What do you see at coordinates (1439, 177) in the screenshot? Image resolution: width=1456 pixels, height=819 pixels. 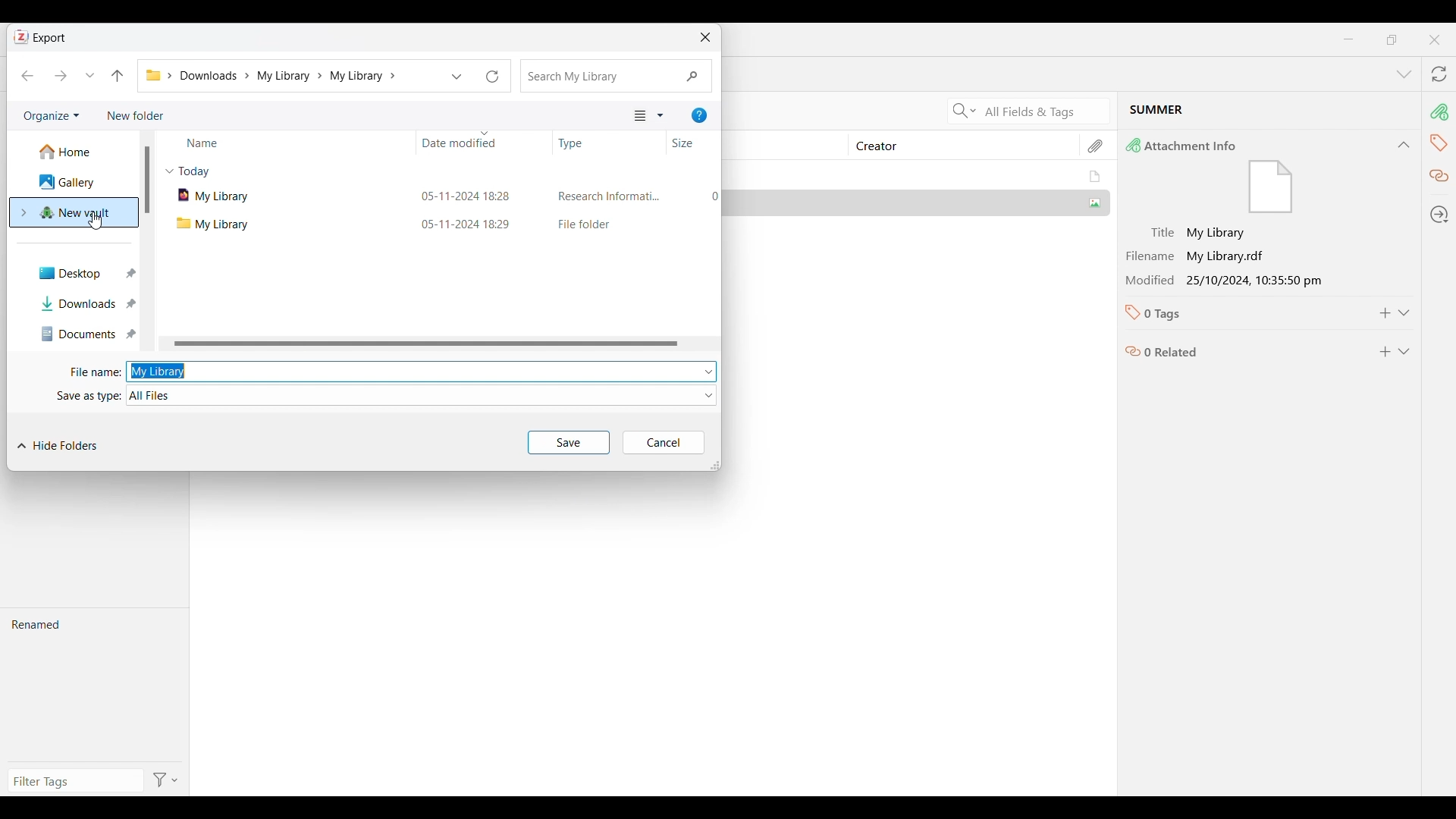 I see `Related` at bounding box center [1439, 177].